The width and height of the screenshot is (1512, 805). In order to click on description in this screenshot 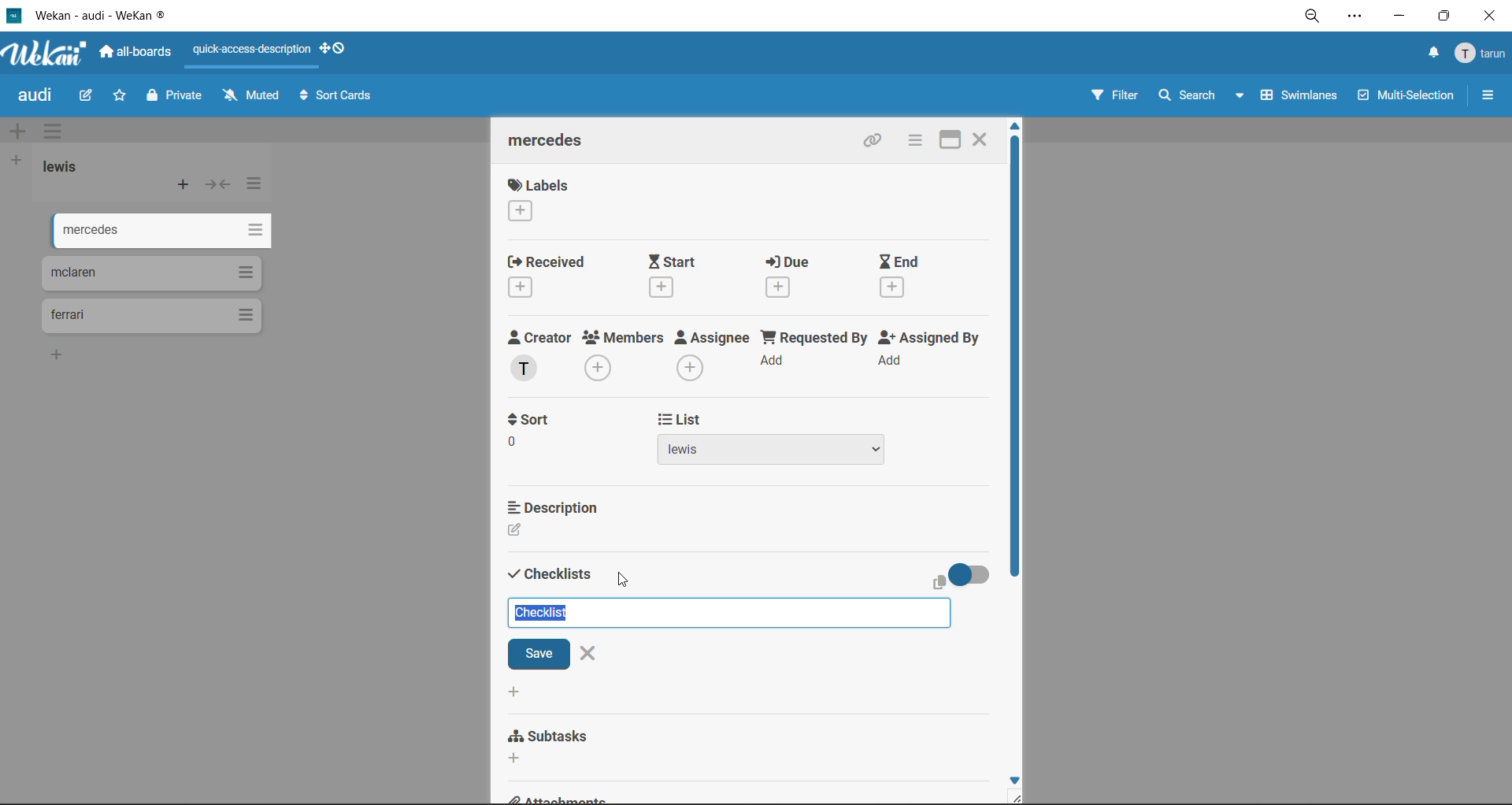, I will do `click(553, 532)`.